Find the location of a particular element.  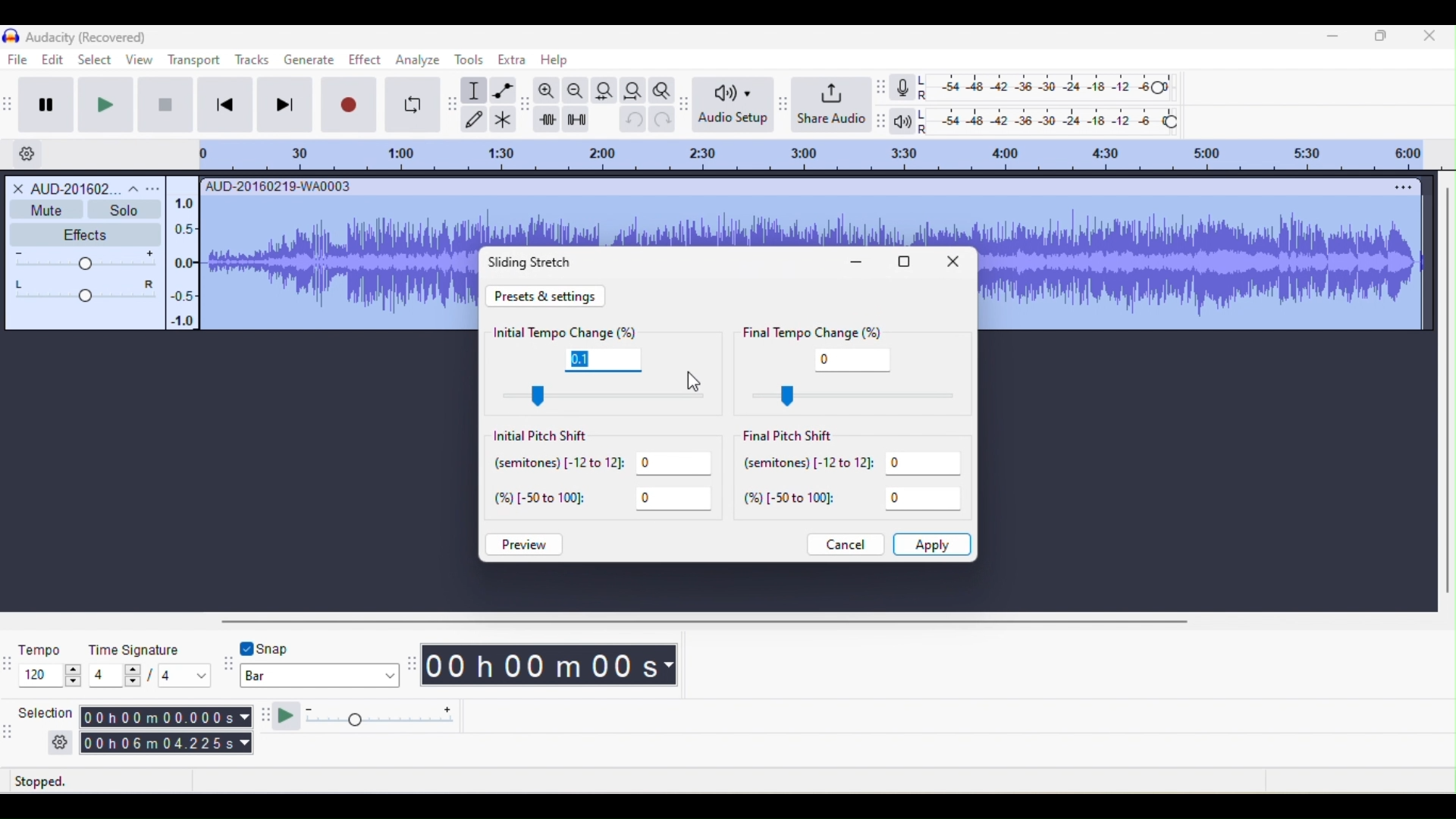

audio setup is located at coordinates (732, 105).